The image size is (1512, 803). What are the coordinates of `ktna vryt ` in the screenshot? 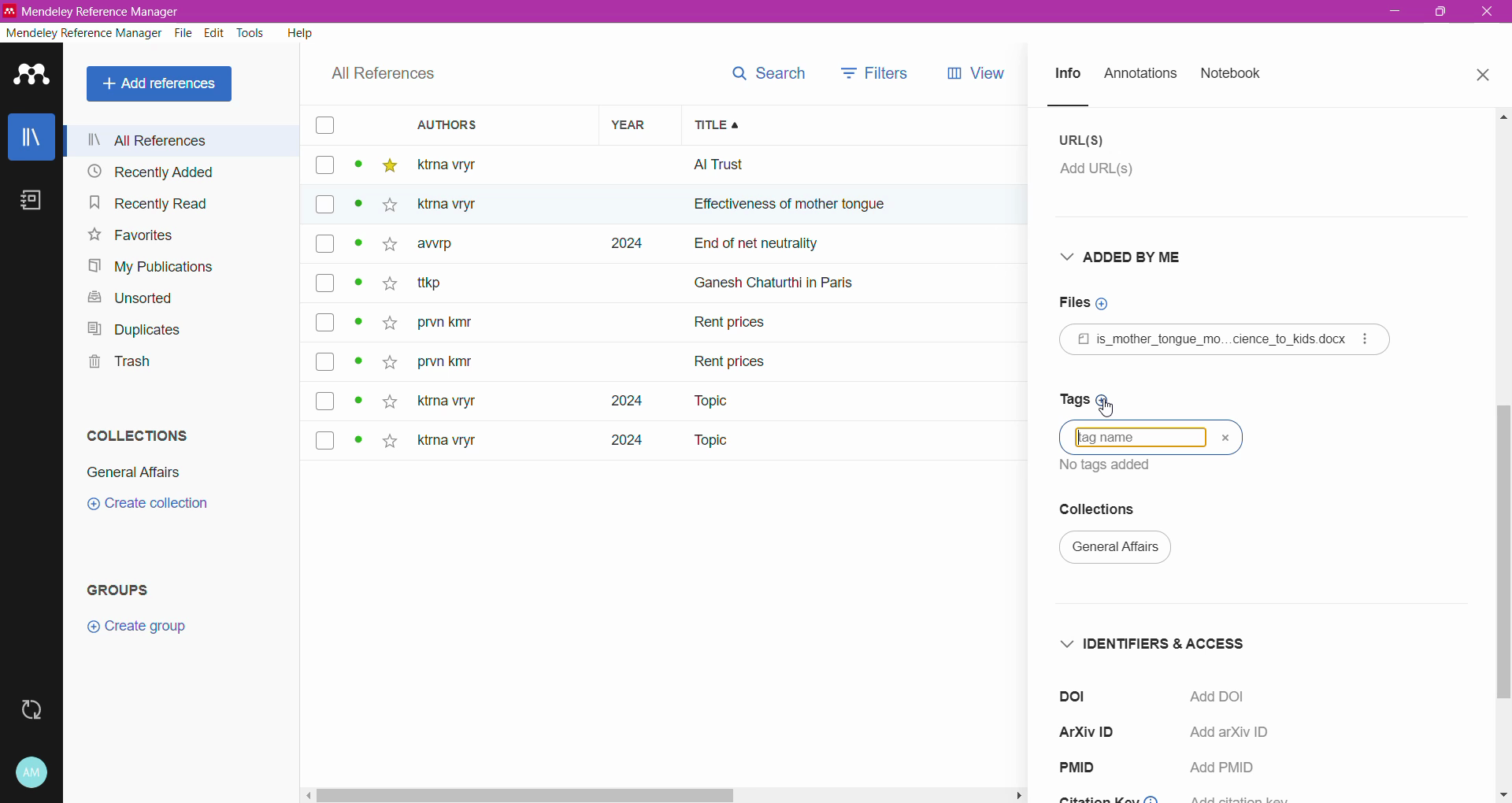 It's located at (443, 402).